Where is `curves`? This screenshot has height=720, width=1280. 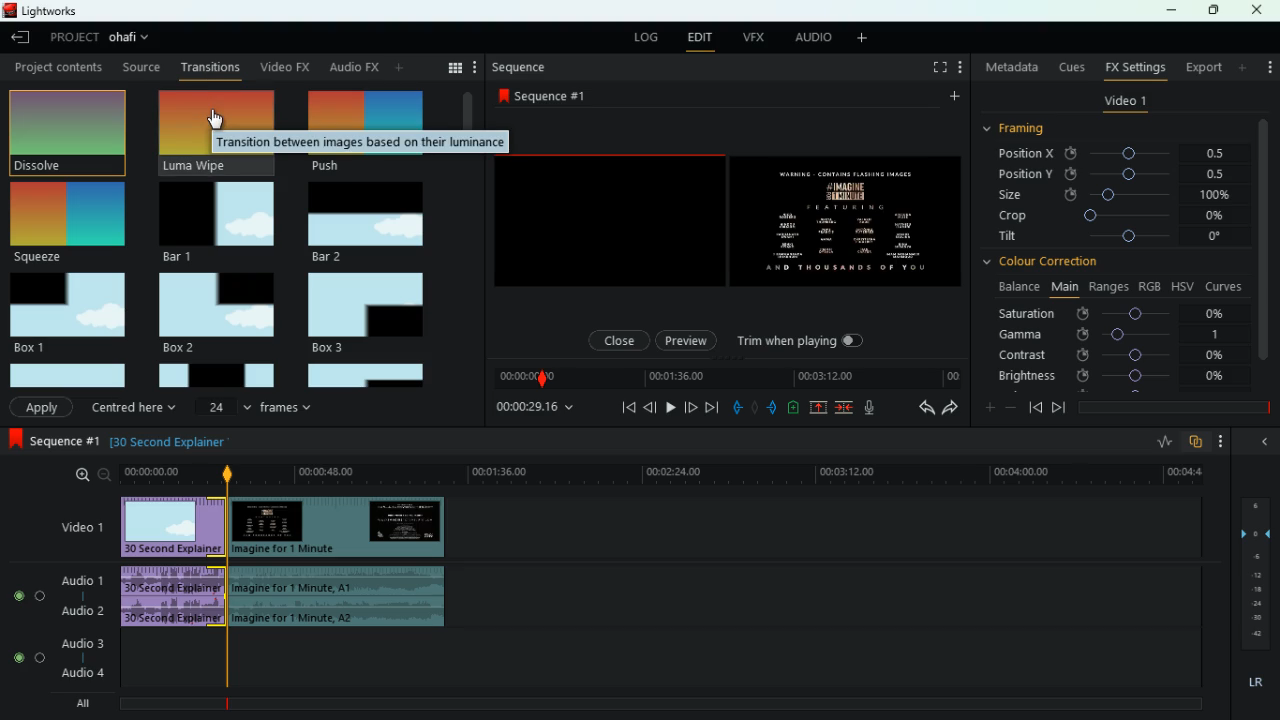
curves is located at coordinates (1226, 285).